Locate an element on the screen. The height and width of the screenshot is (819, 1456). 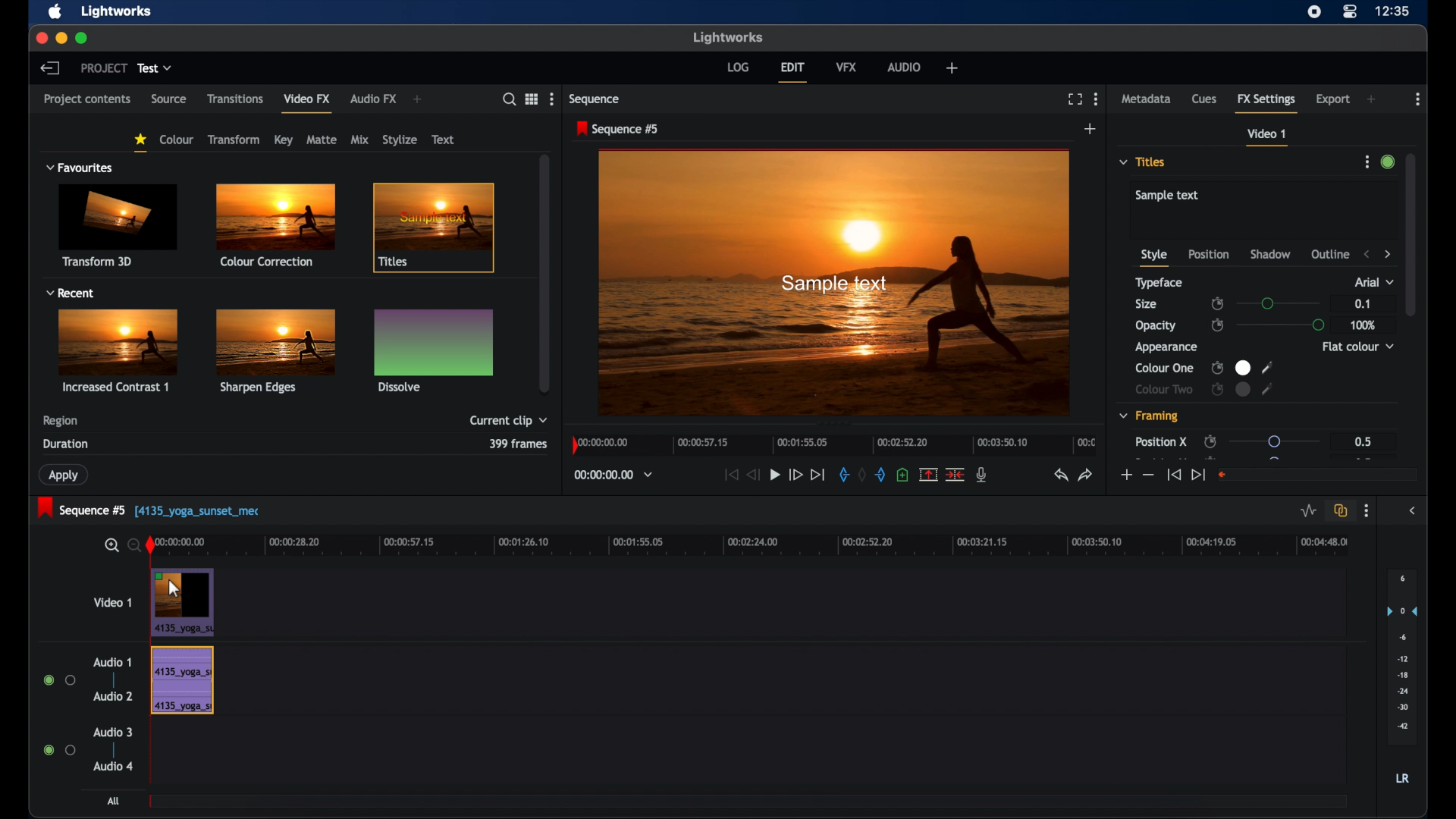
zoom in is located at coordinates (111, 545).